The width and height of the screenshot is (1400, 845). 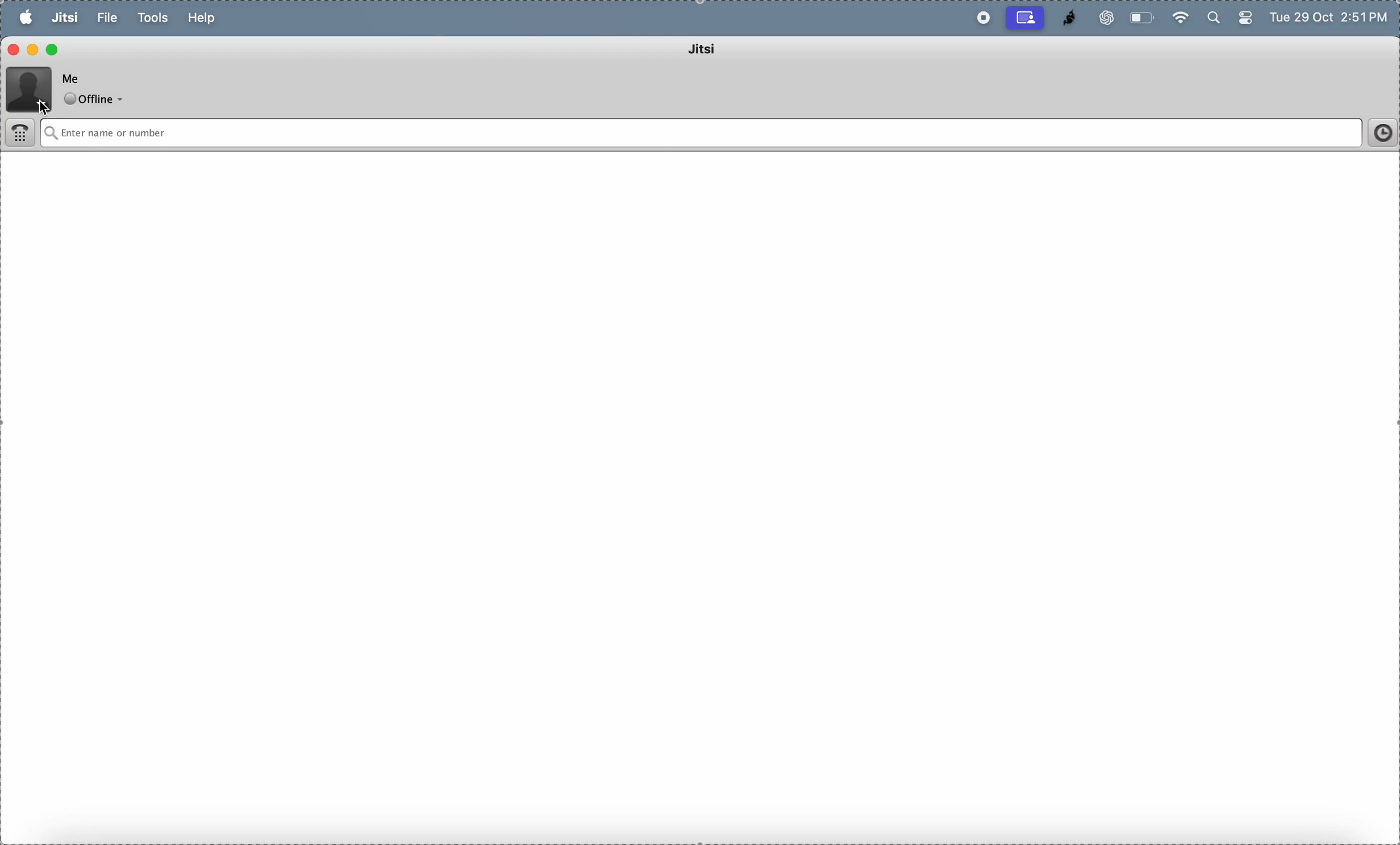 What do you see at coordinates (154, 18) in the screenshot?
I see `tools` at bounding box center [154, 18].